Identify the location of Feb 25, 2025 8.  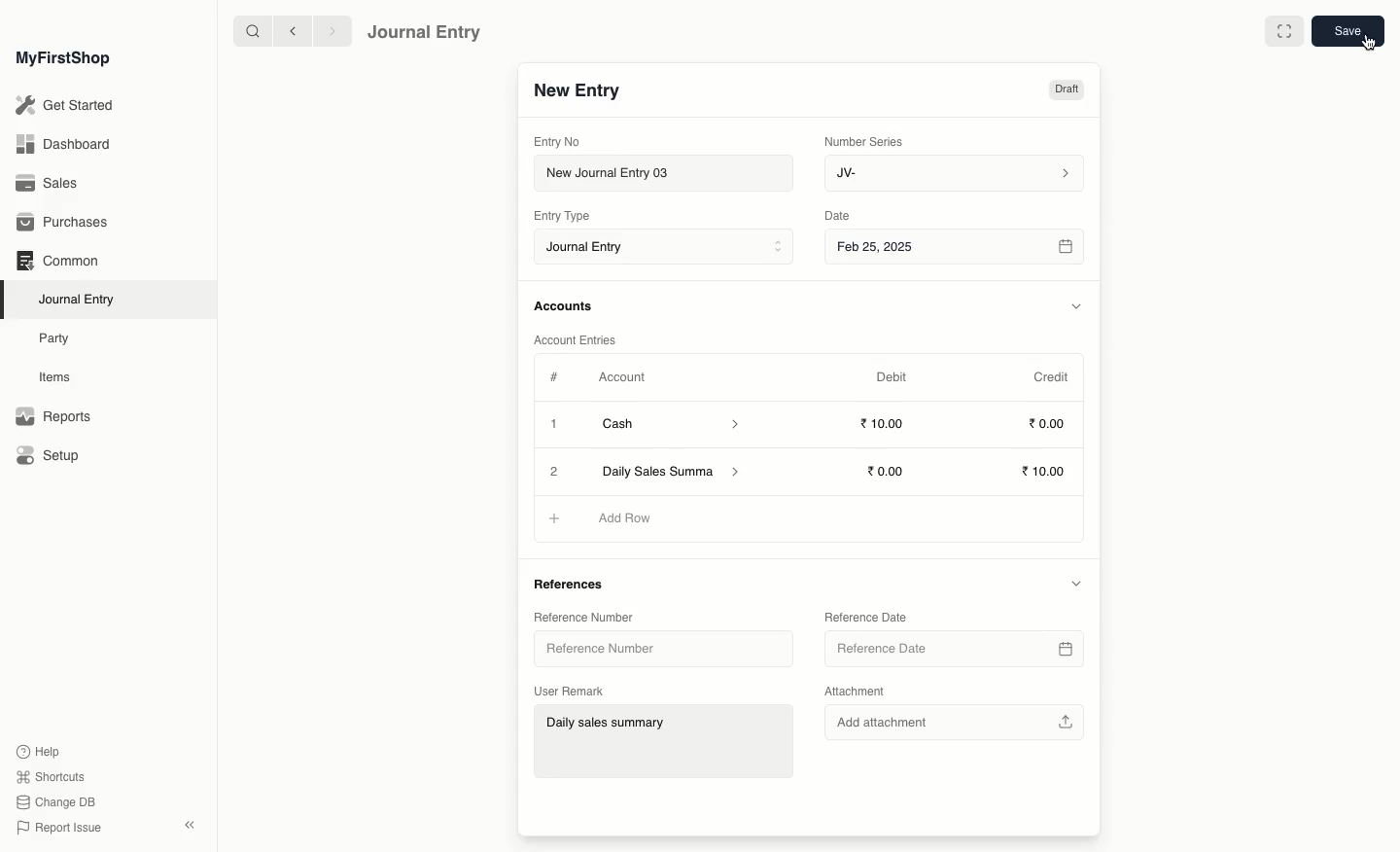
(956, 246).